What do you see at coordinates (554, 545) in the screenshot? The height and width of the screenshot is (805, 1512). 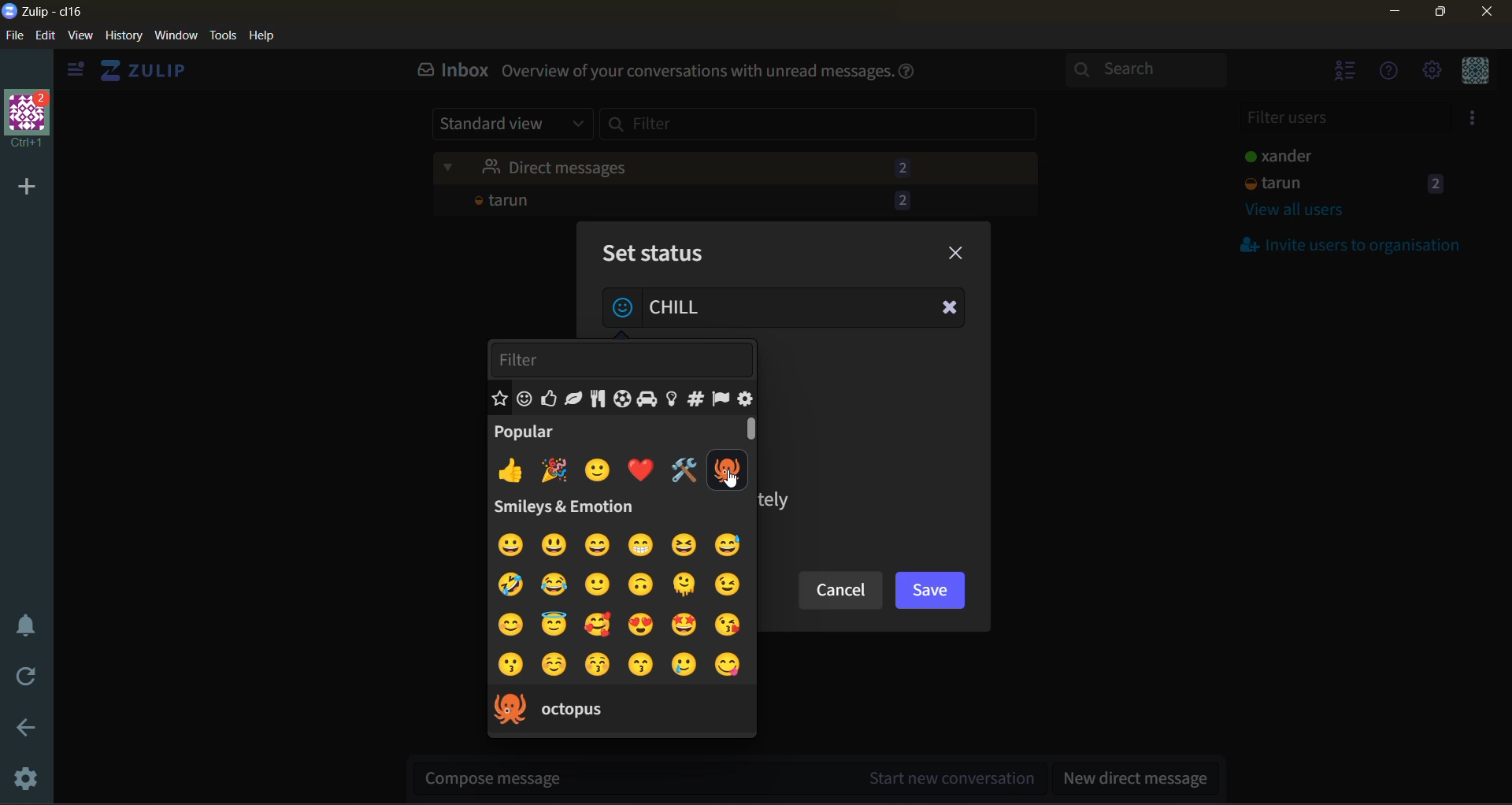 I see `emoji` at bounding box center [554, 545].